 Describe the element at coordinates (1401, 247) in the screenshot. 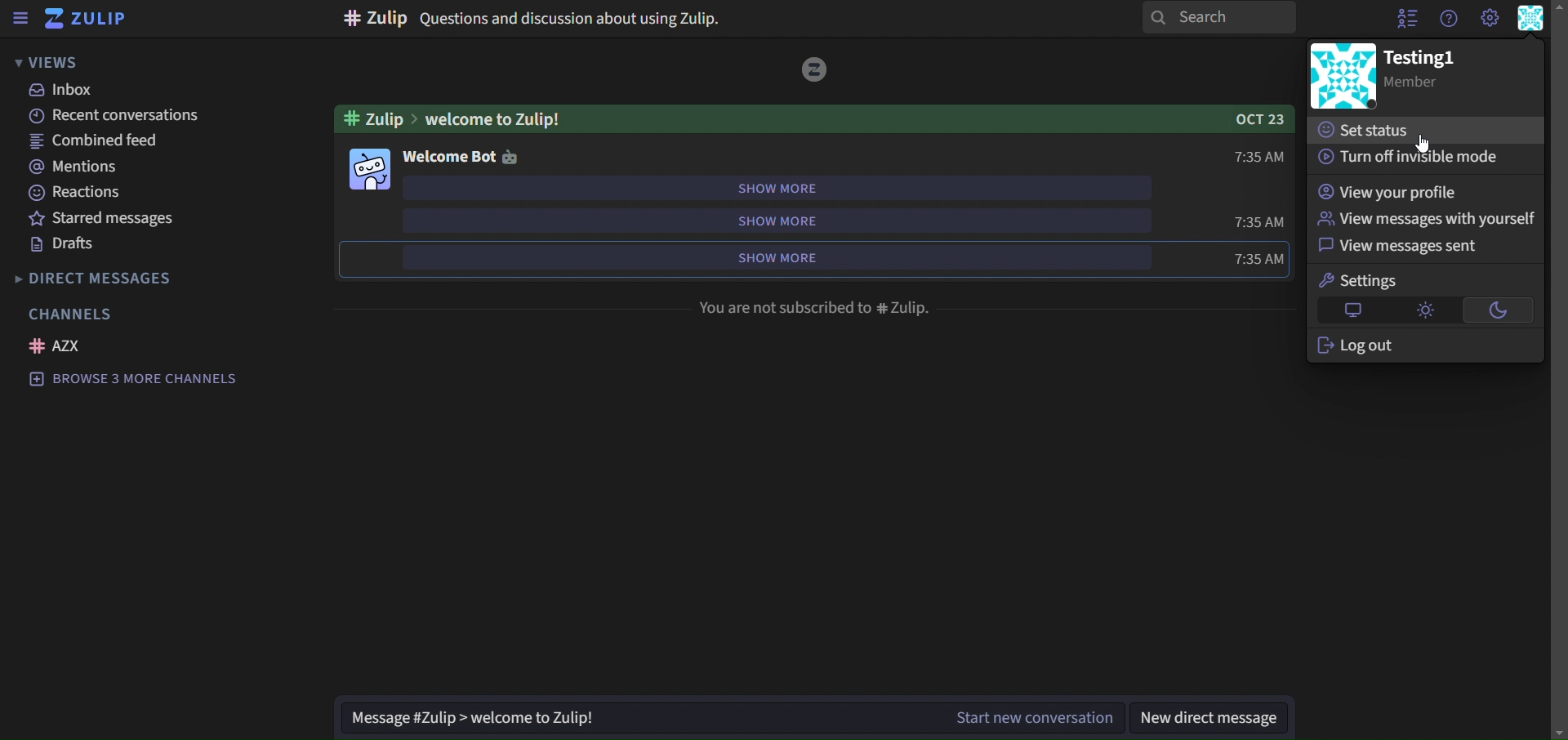

I see `view messages sent` at that location.